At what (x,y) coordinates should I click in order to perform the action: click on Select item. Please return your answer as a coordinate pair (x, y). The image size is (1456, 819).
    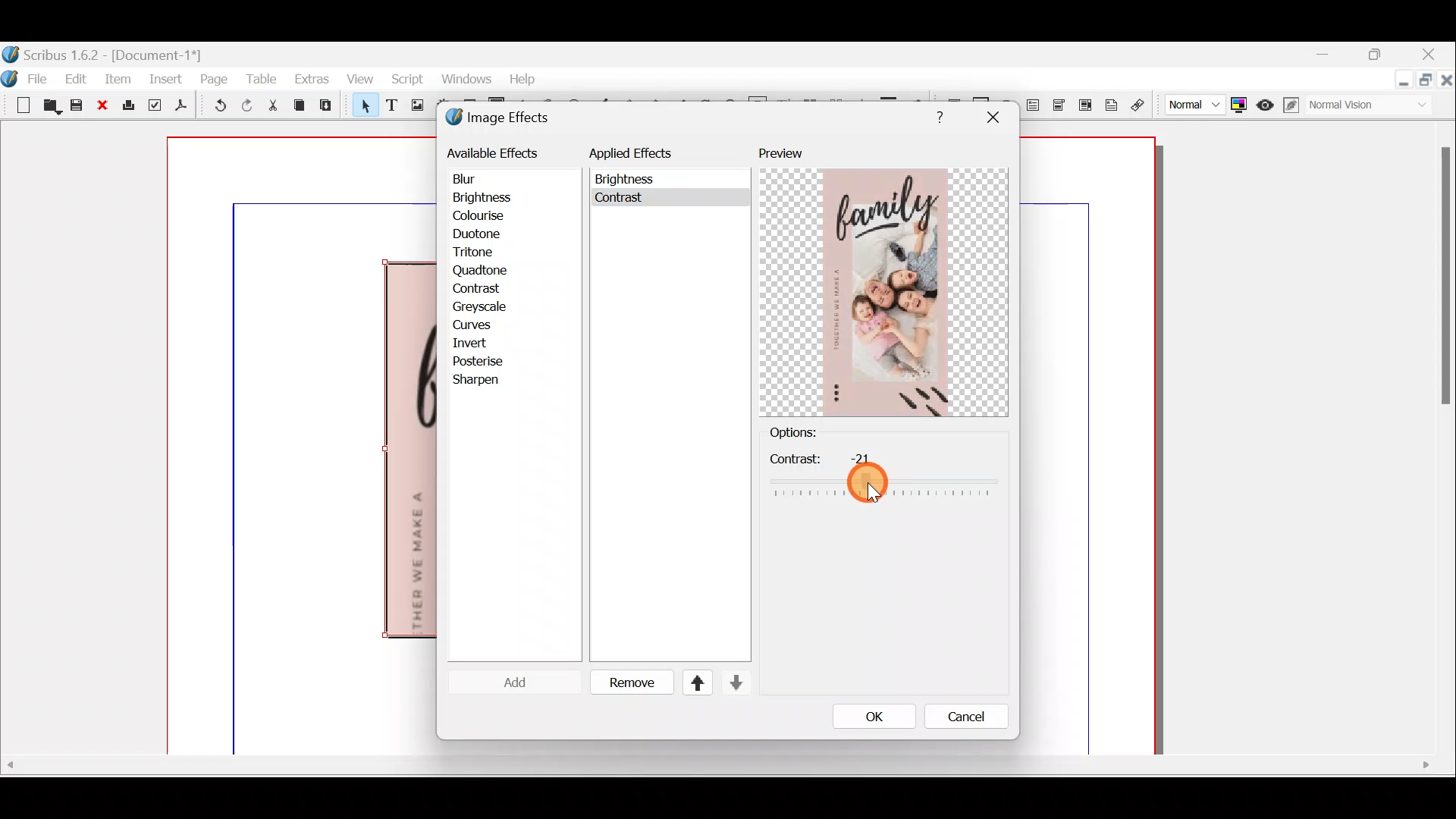
    Looking at the image, I should click on (362, 108).